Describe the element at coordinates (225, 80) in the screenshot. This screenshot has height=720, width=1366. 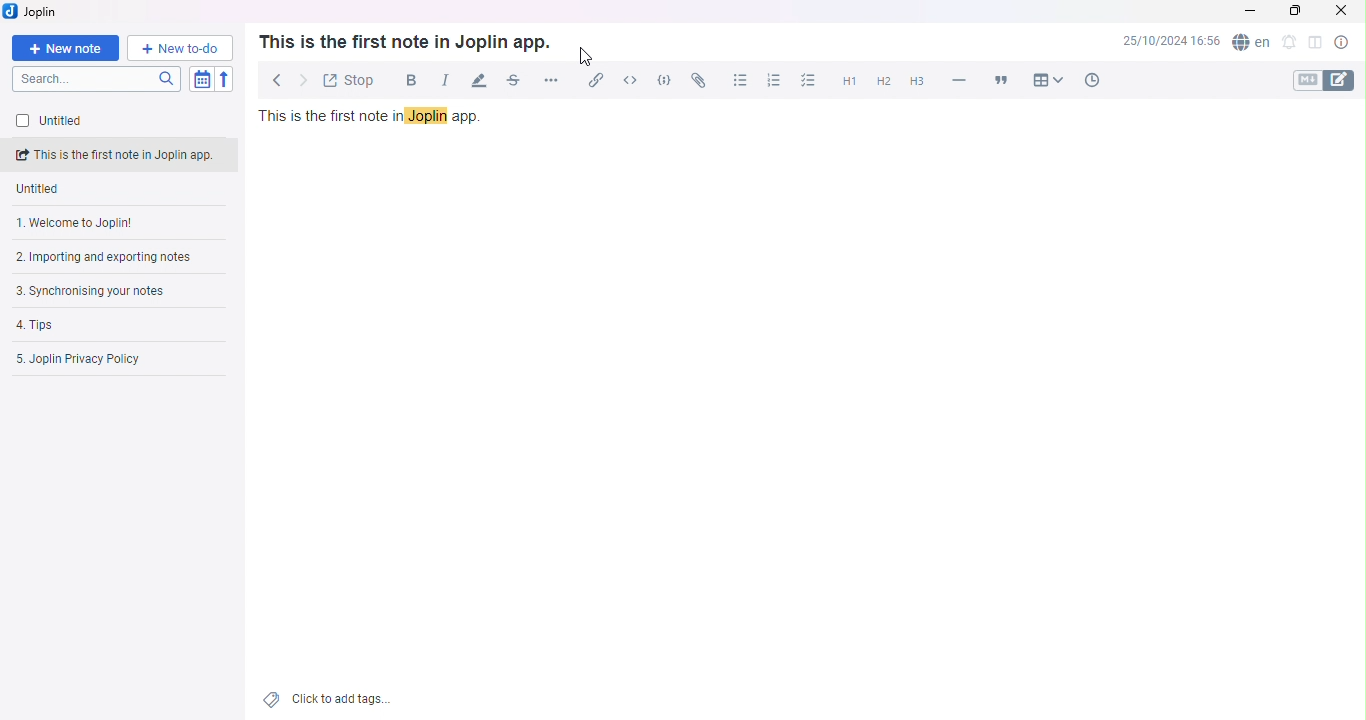
I see `Reverse Sort order` at that location.